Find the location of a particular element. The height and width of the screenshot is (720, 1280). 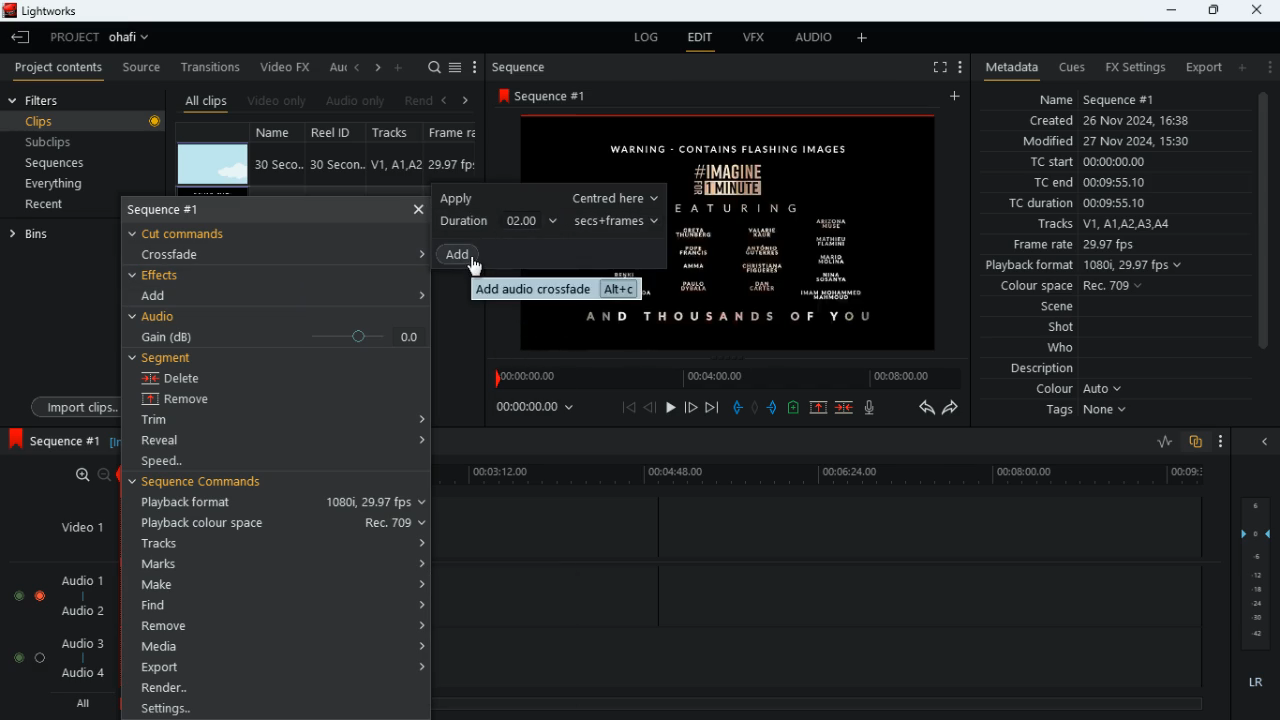

fx settings is located at coordinates (1134, 66).